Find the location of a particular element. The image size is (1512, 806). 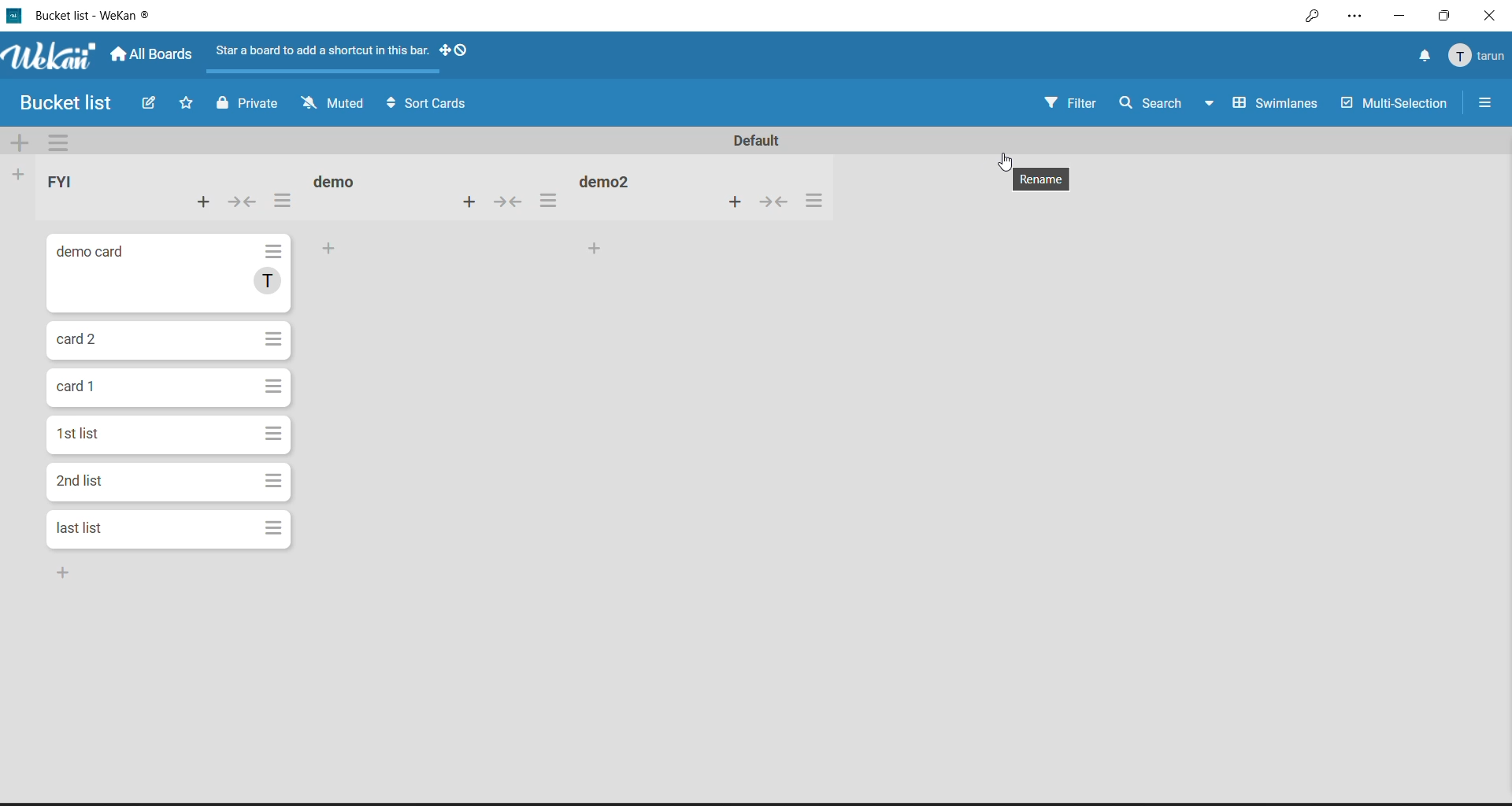

member menu popup title is located at coordinates (1477, 56).